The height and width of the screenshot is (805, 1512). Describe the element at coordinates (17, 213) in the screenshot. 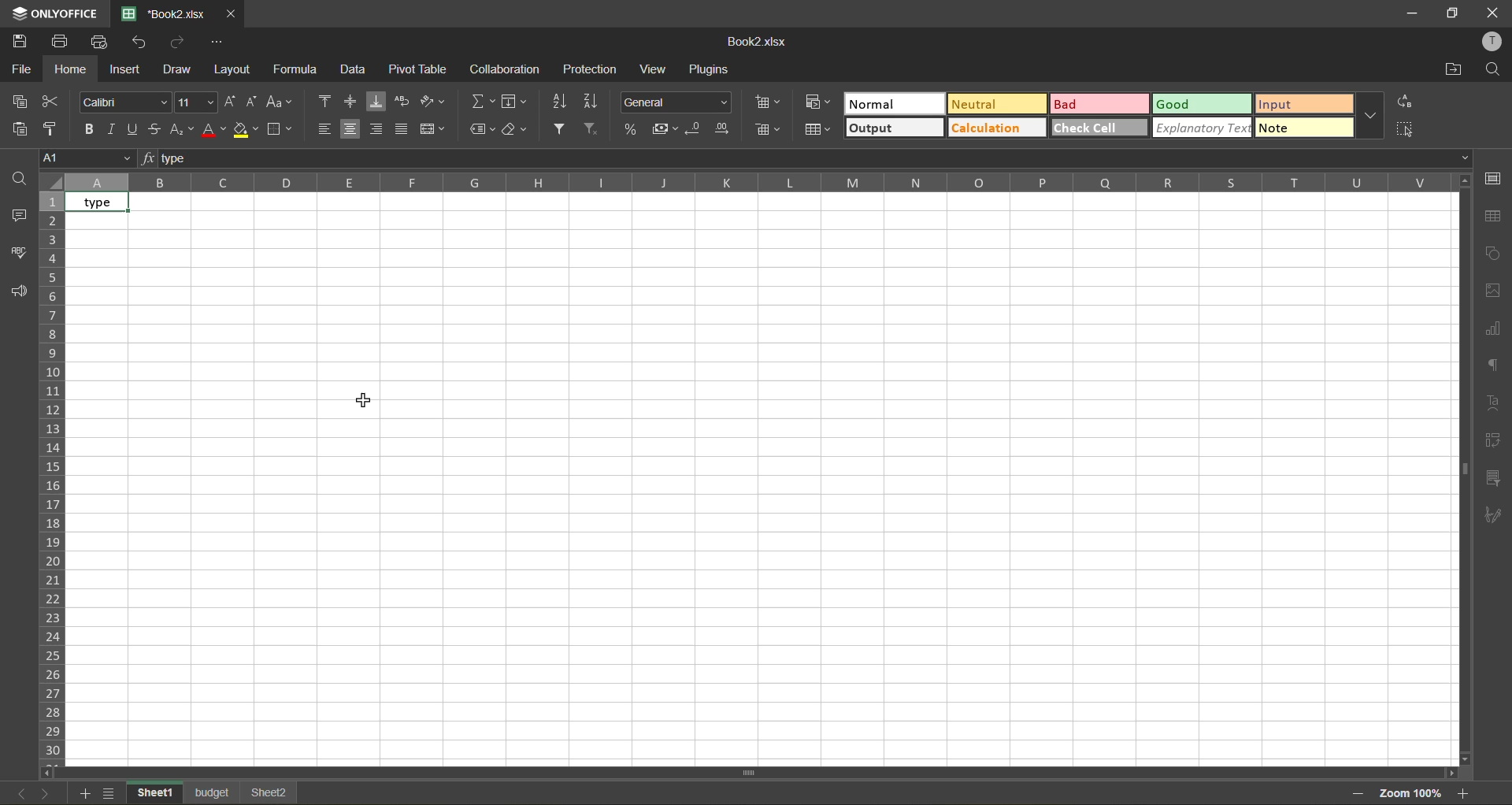

I see `comments` at that location.